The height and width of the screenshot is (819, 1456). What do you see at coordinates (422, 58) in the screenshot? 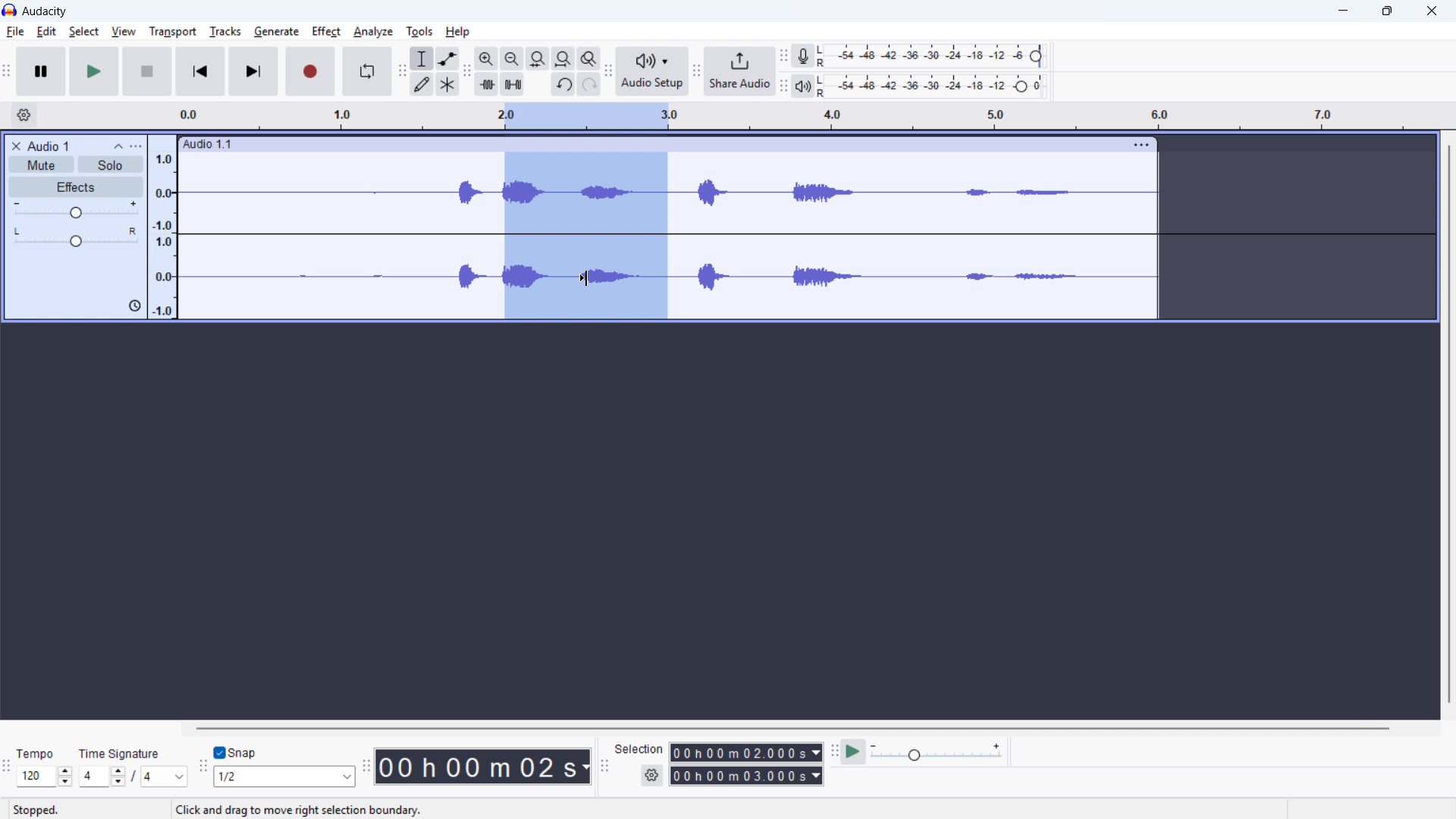
I see `Selection tool` at bounding box center [422, 58].